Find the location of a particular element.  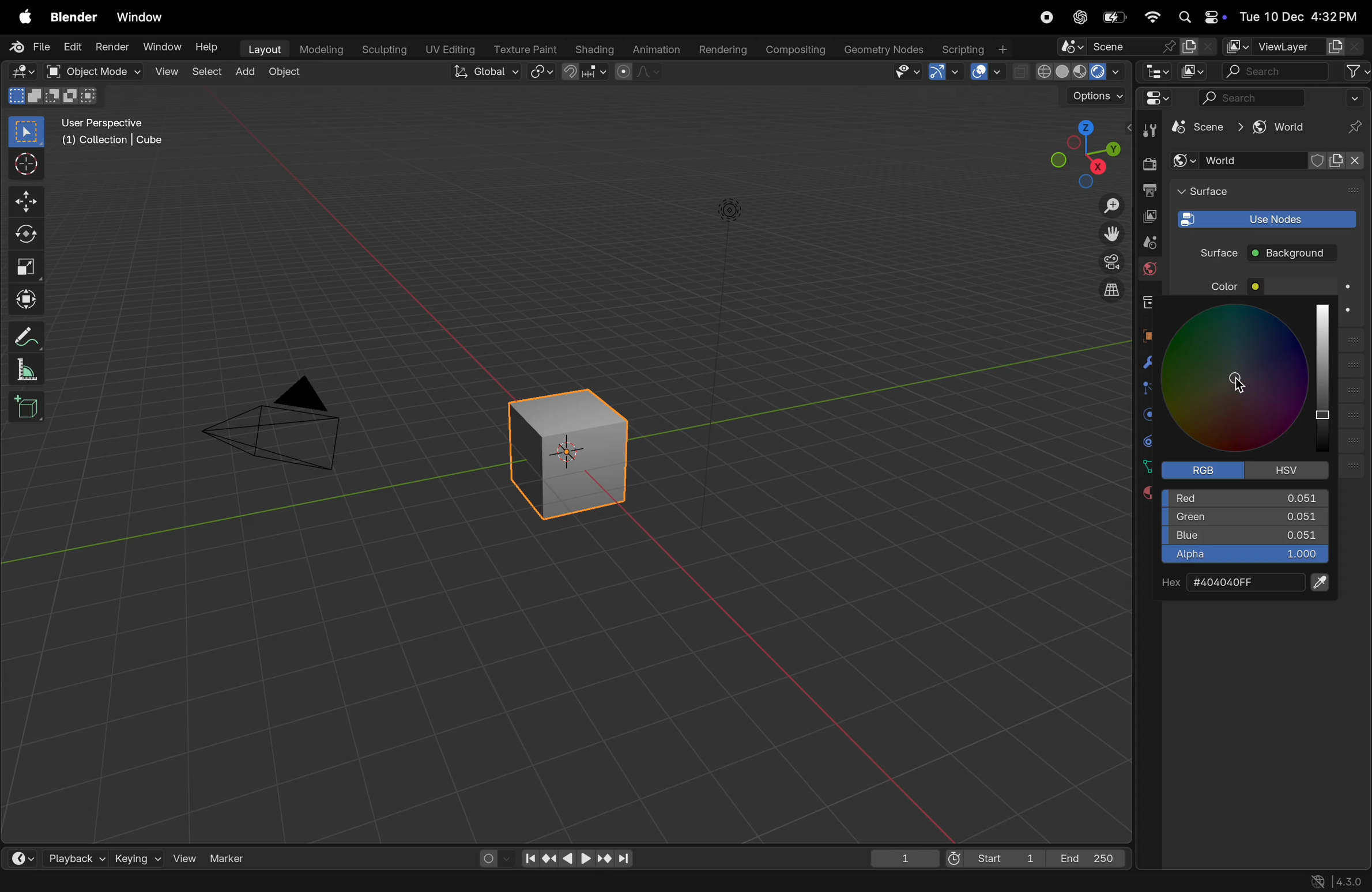

start is located at coordinates (996, 855).